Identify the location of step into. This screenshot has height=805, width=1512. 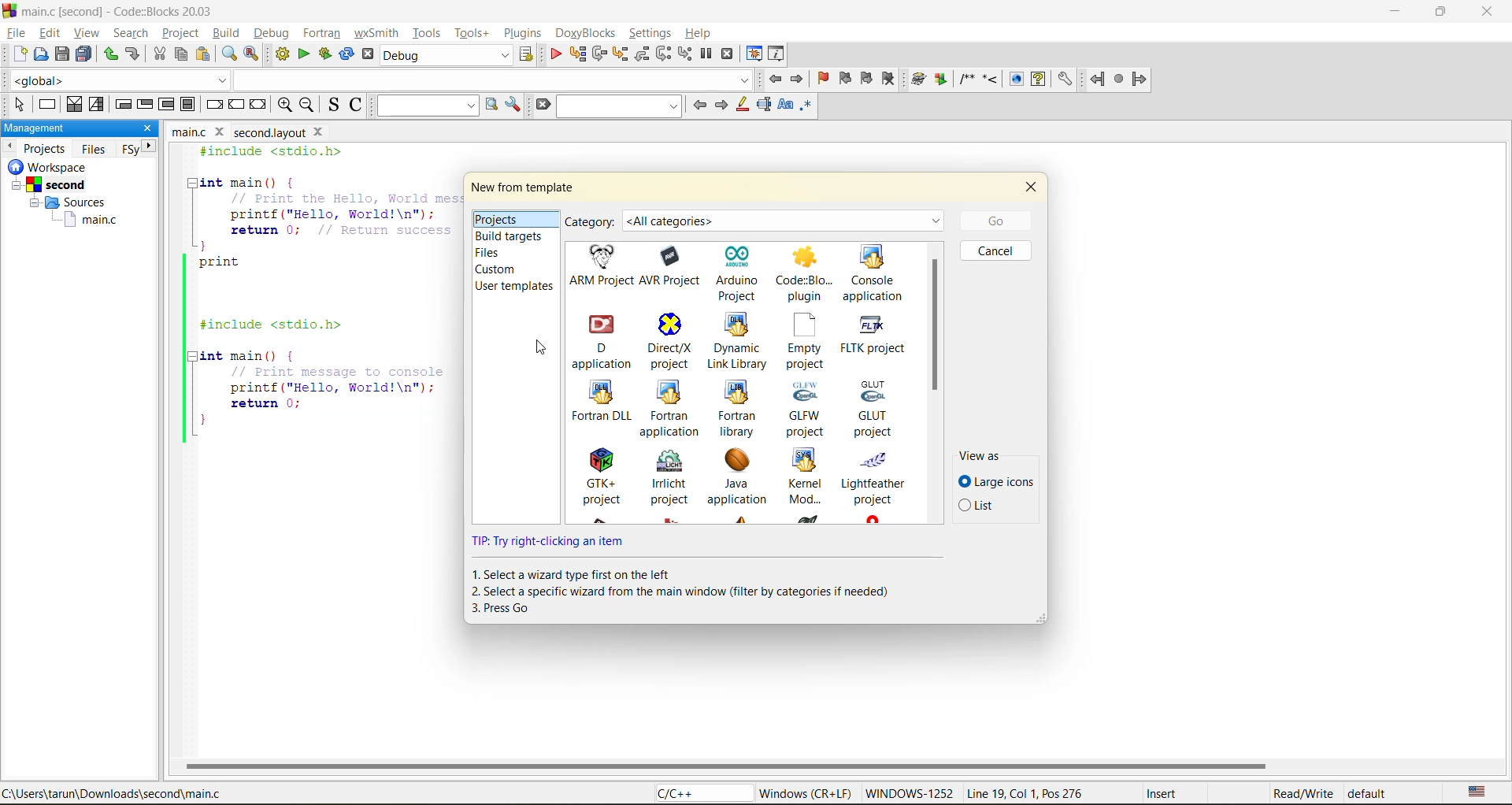
(620, 54).